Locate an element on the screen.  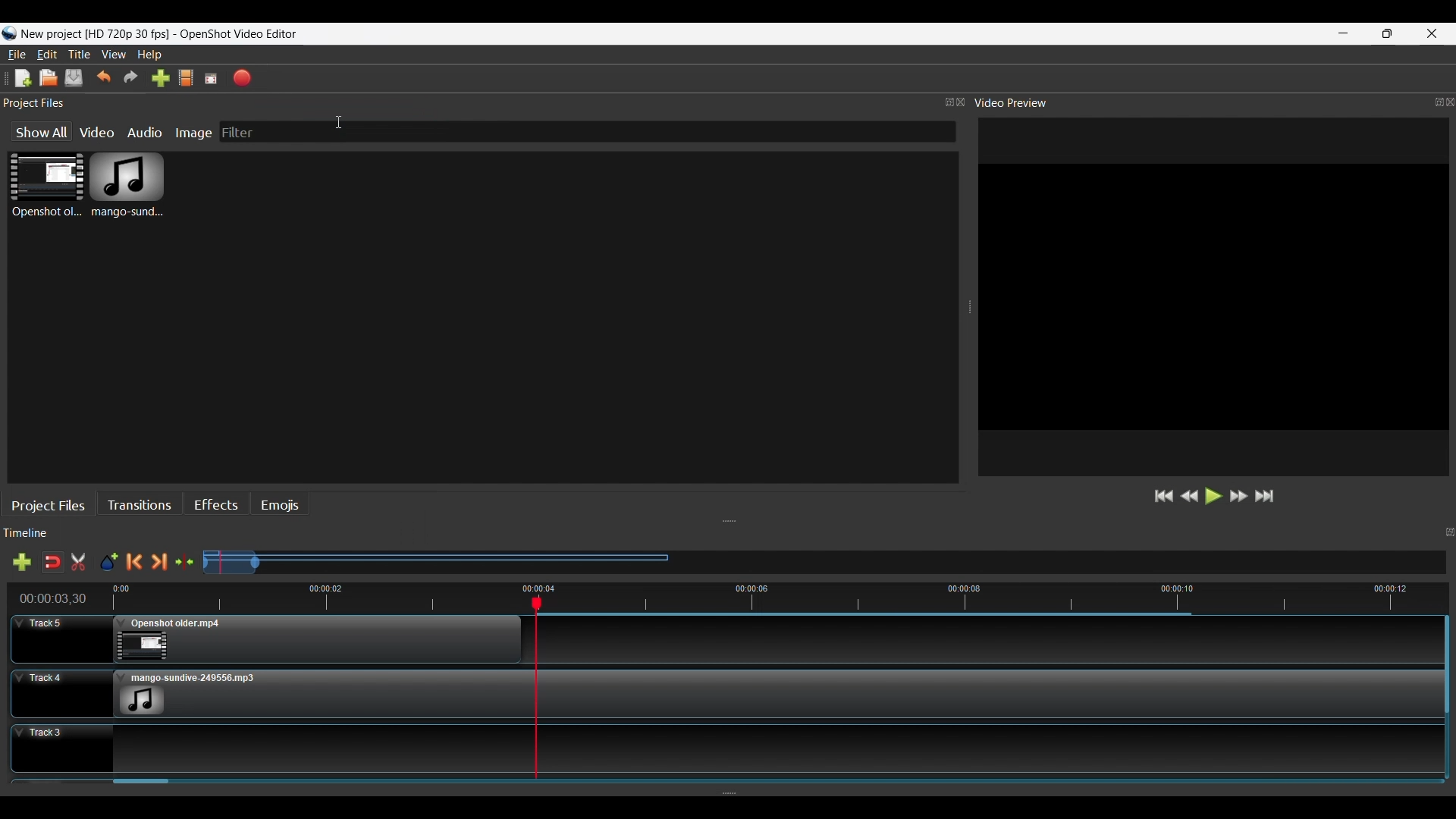
Edit is located at coordinates (48, 54).